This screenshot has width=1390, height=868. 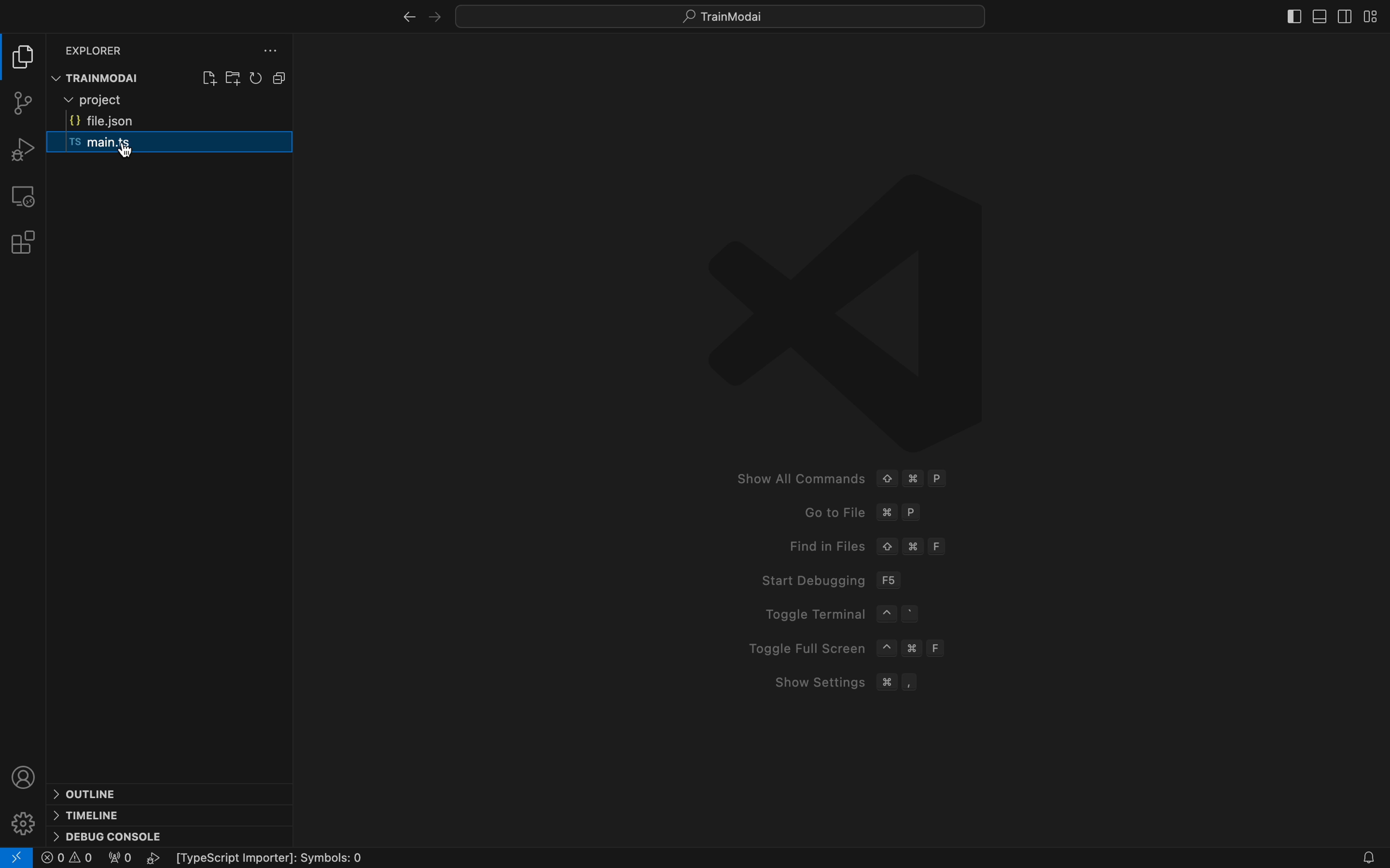 What do you see at coordinates (119, 76) in the screenshot?
I see `trainmodai` at bounding box center [119, 76].